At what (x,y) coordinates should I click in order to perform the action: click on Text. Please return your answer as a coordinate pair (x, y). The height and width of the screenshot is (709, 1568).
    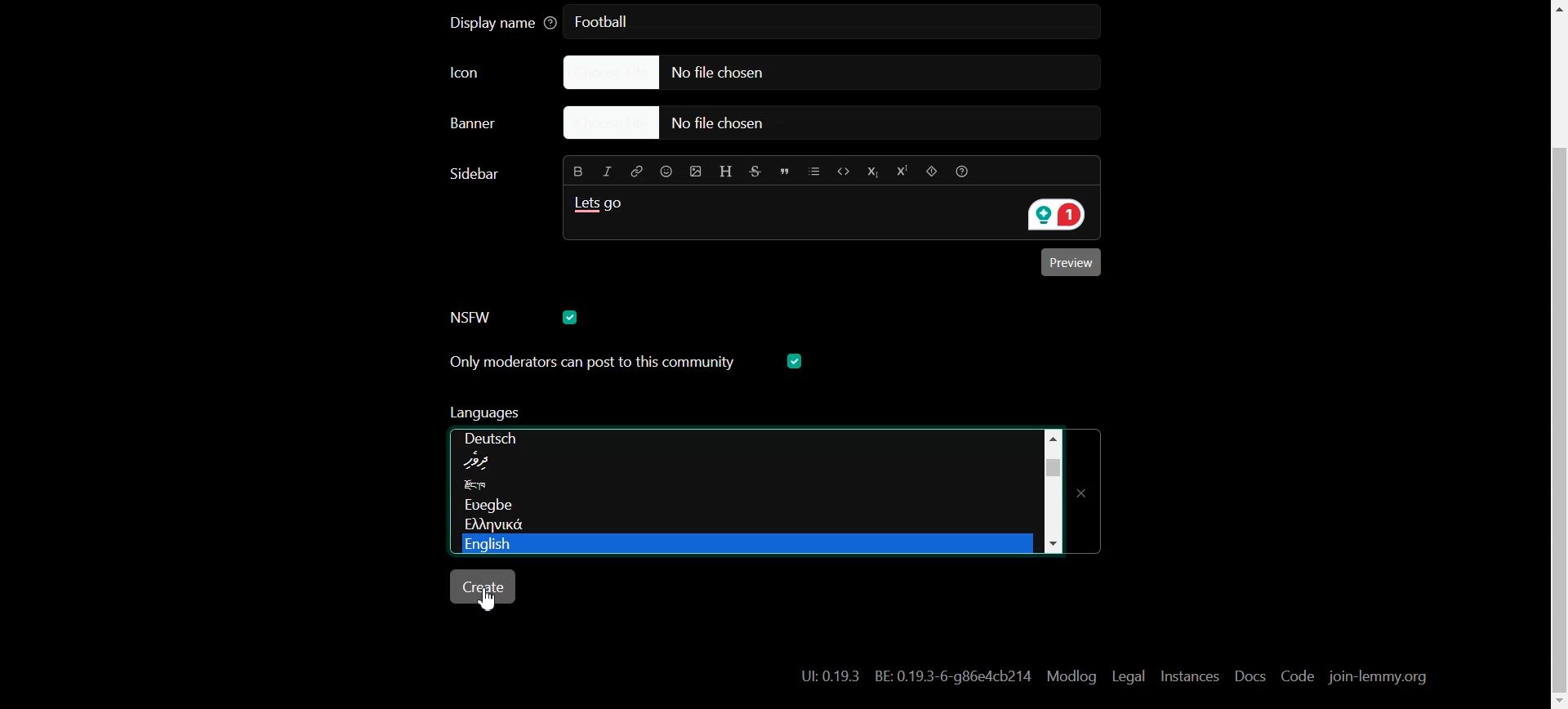
    Looking at the image, I should click on (478, 173).